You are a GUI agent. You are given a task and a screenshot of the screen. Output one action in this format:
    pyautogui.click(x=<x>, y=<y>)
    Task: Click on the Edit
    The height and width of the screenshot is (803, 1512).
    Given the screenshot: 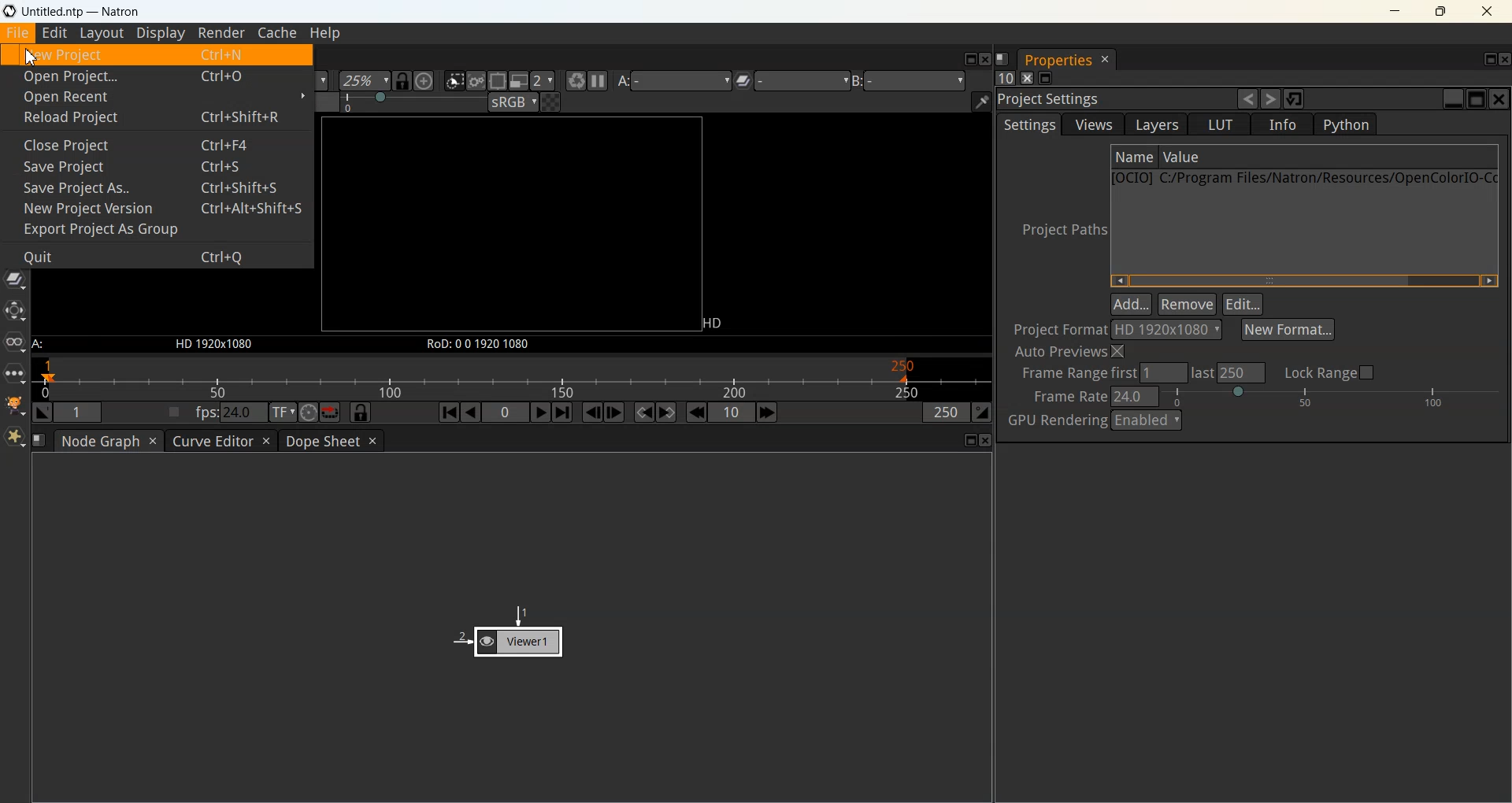 What is the action you would take?
    pyautogui.click(x=55, y=33)
    